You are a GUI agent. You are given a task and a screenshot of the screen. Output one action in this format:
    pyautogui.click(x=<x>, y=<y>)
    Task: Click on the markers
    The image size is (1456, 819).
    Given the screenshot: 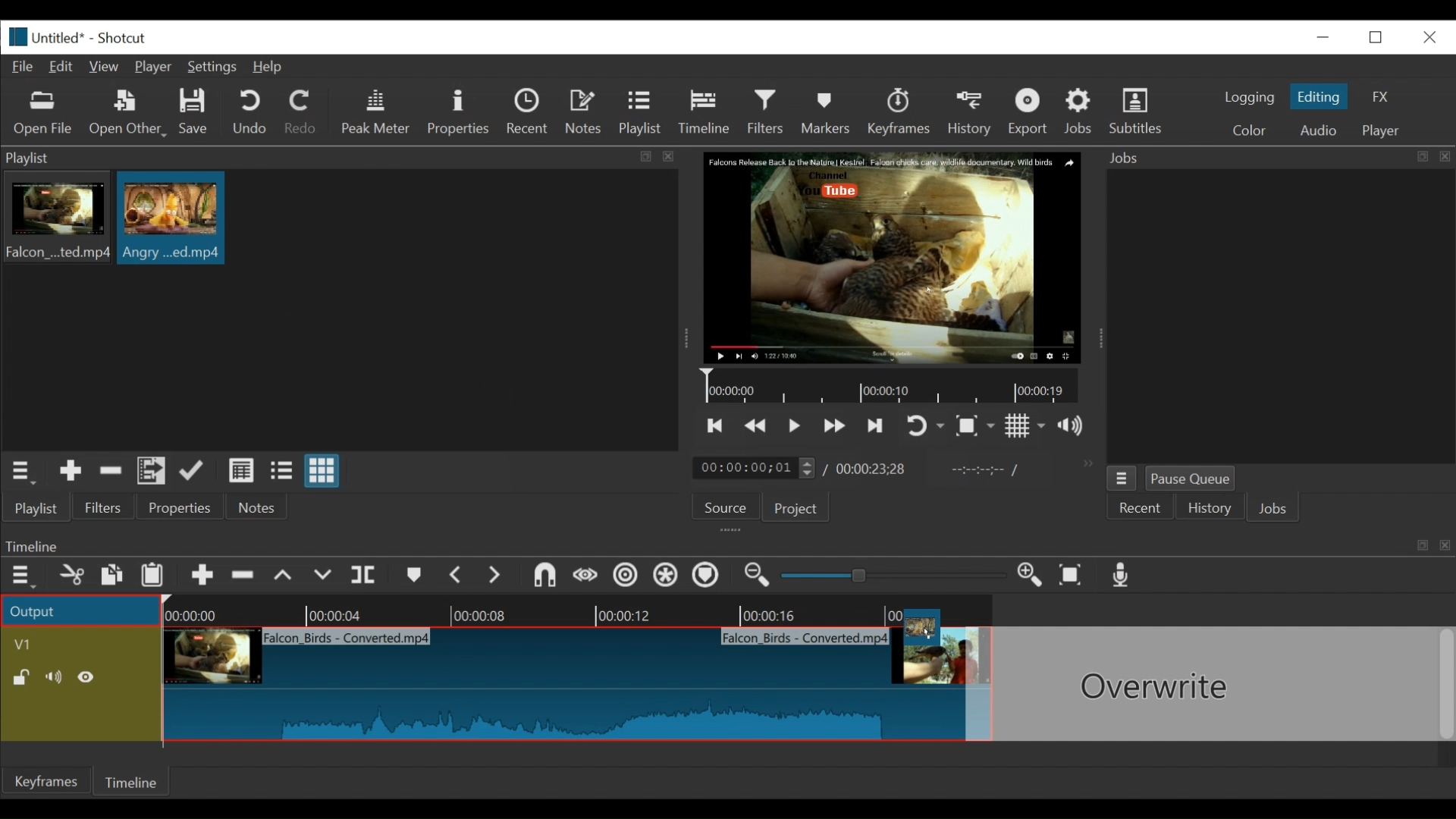 What is the action you would take?
    pyautogui.click(x=413, y=579)
    